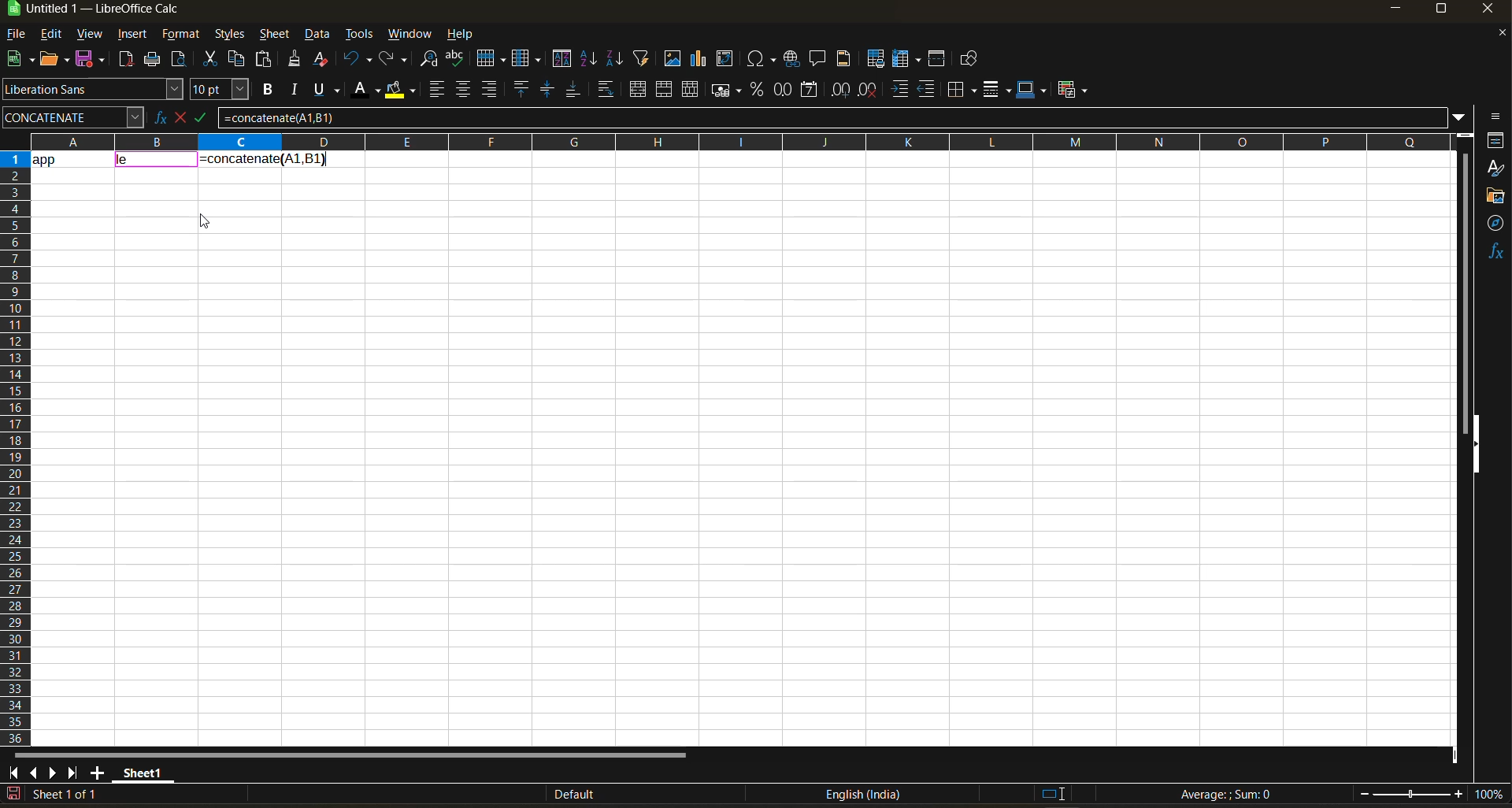  What do you see at coordinates (73, 773) in the screenshot?
I see `scroll to last sheet` at bounding box center [73, 773].